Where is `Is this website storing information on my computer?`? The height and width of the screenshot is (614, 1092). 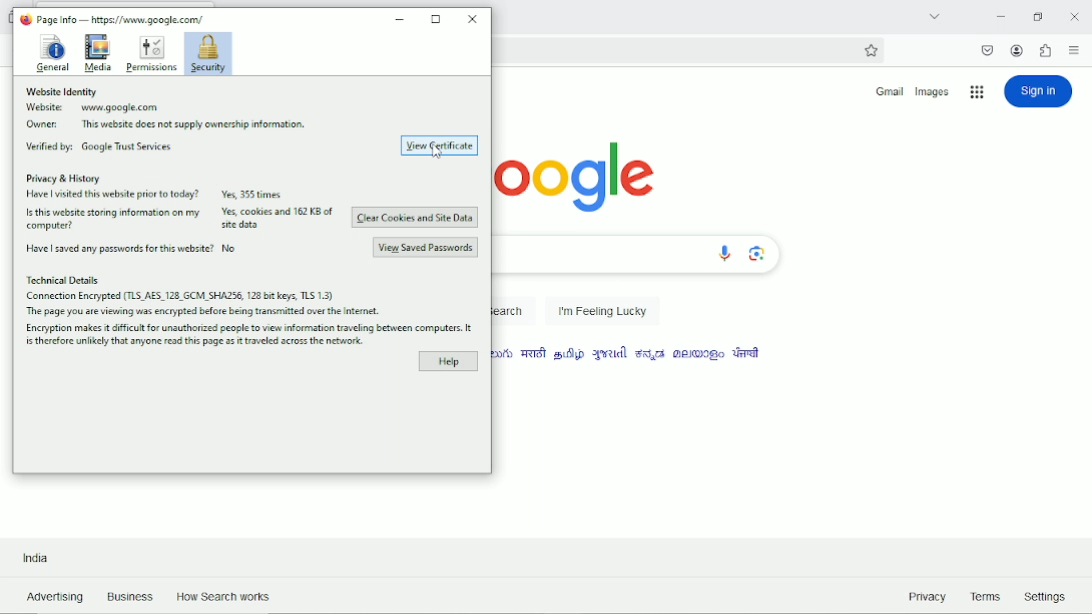
Is this website storing information on my computer? is located at coordinates (114, 221).